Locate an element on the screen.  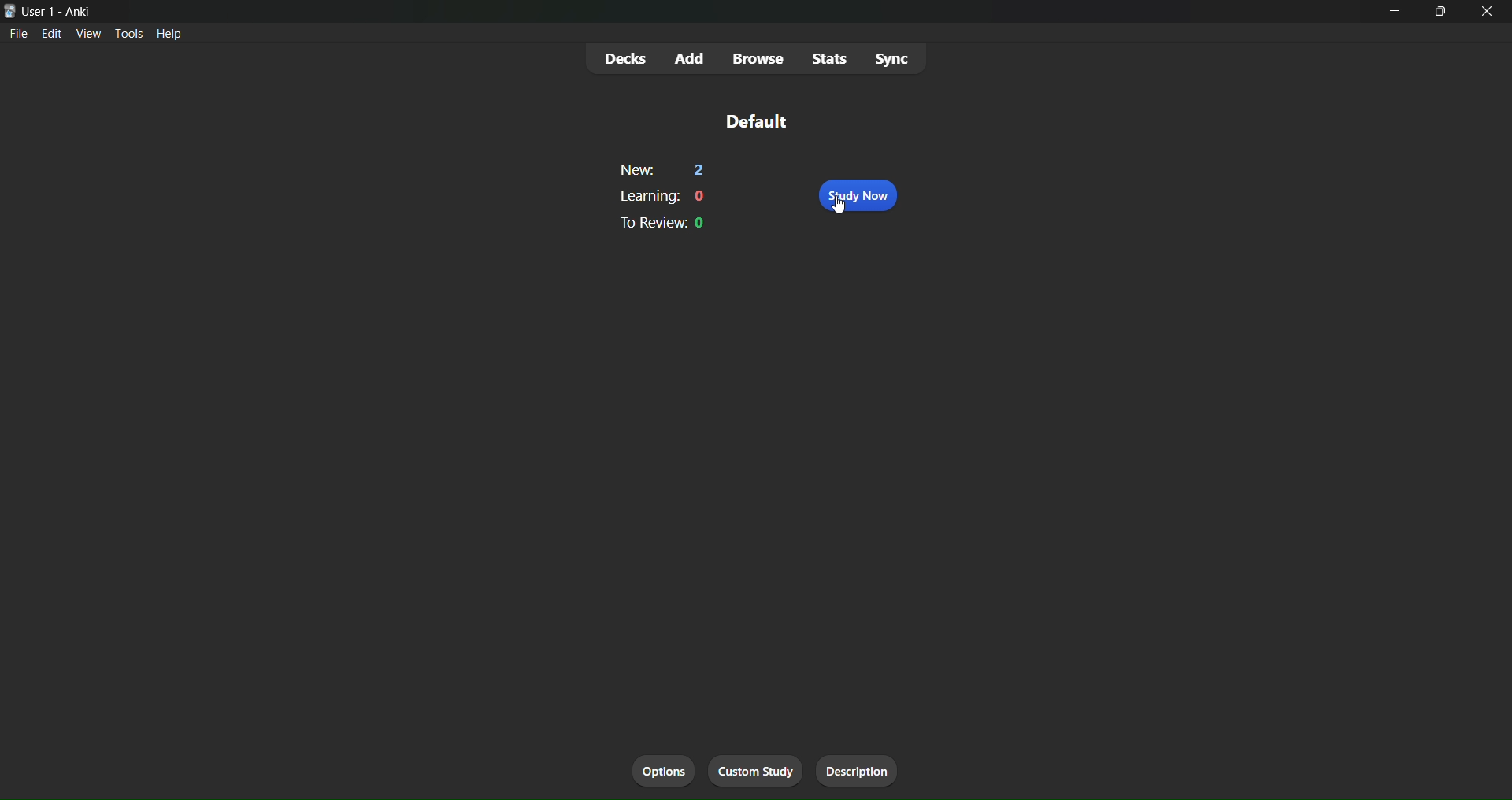
options is located at coordinates (661, 769).